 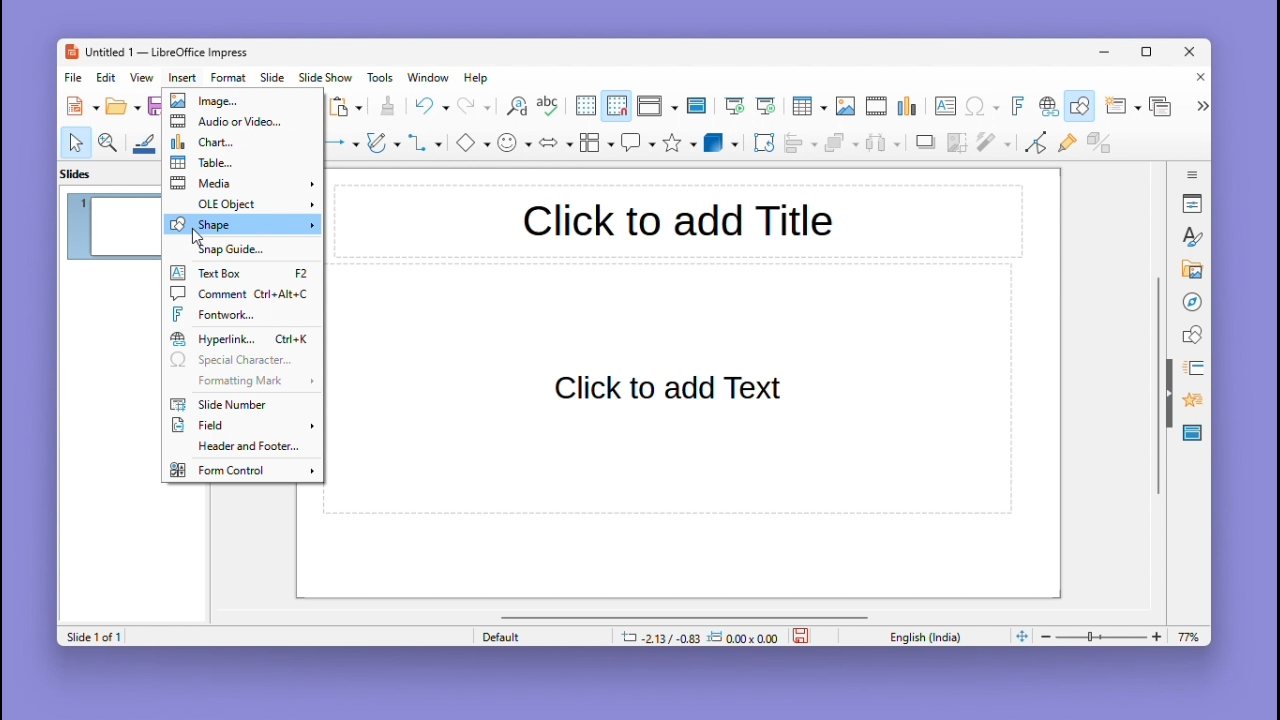 What do you see at coordinates (1194, 203) in the screenshot?
I see `Properties` at bounding box center [1194, 203].